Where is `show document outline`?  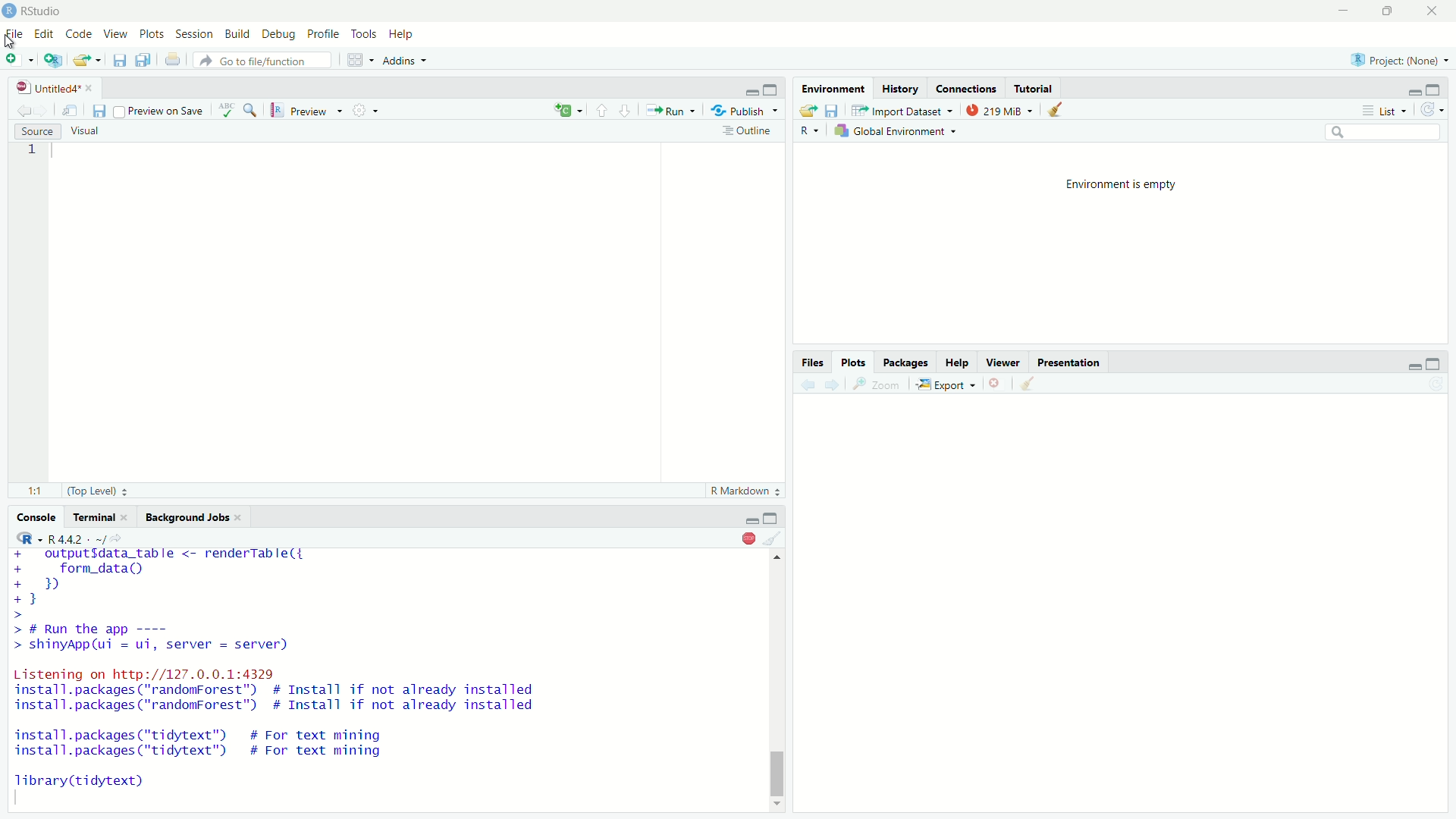
show document outline is located at coordinates (748, 132).